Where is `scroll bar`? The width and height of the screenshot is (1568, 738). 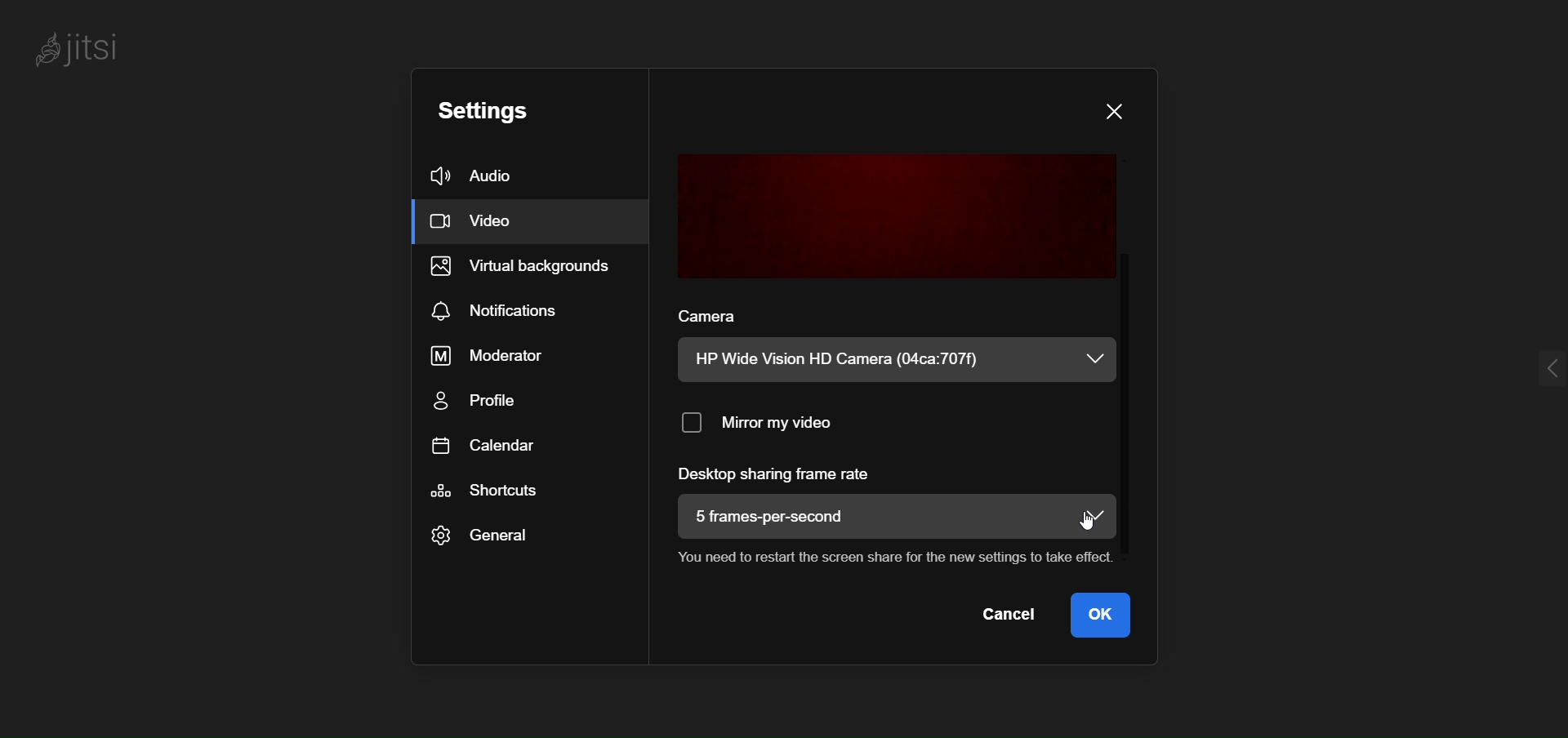
scroll bar is located at coordinates (1133, 340).